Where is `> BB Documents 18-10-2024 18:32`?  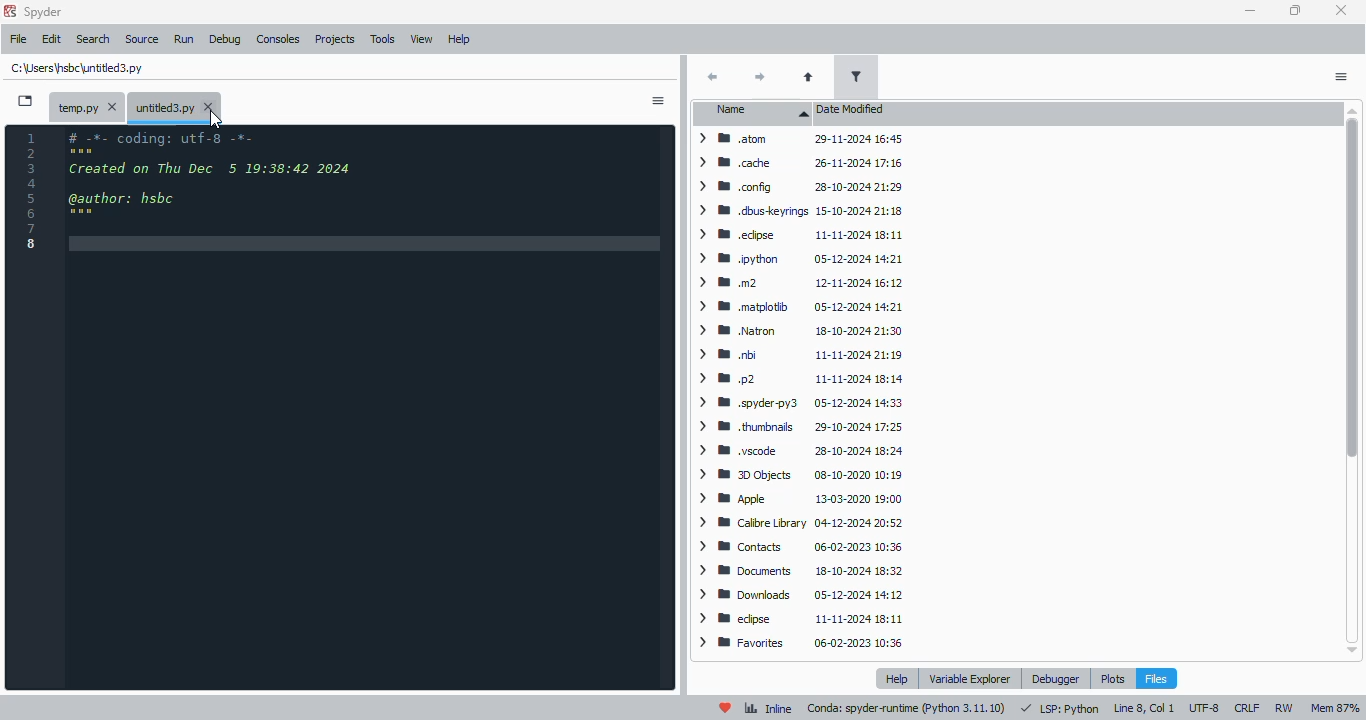
> BB Documents 18-10-2024 18:32 is located at coordinates (798, 570).